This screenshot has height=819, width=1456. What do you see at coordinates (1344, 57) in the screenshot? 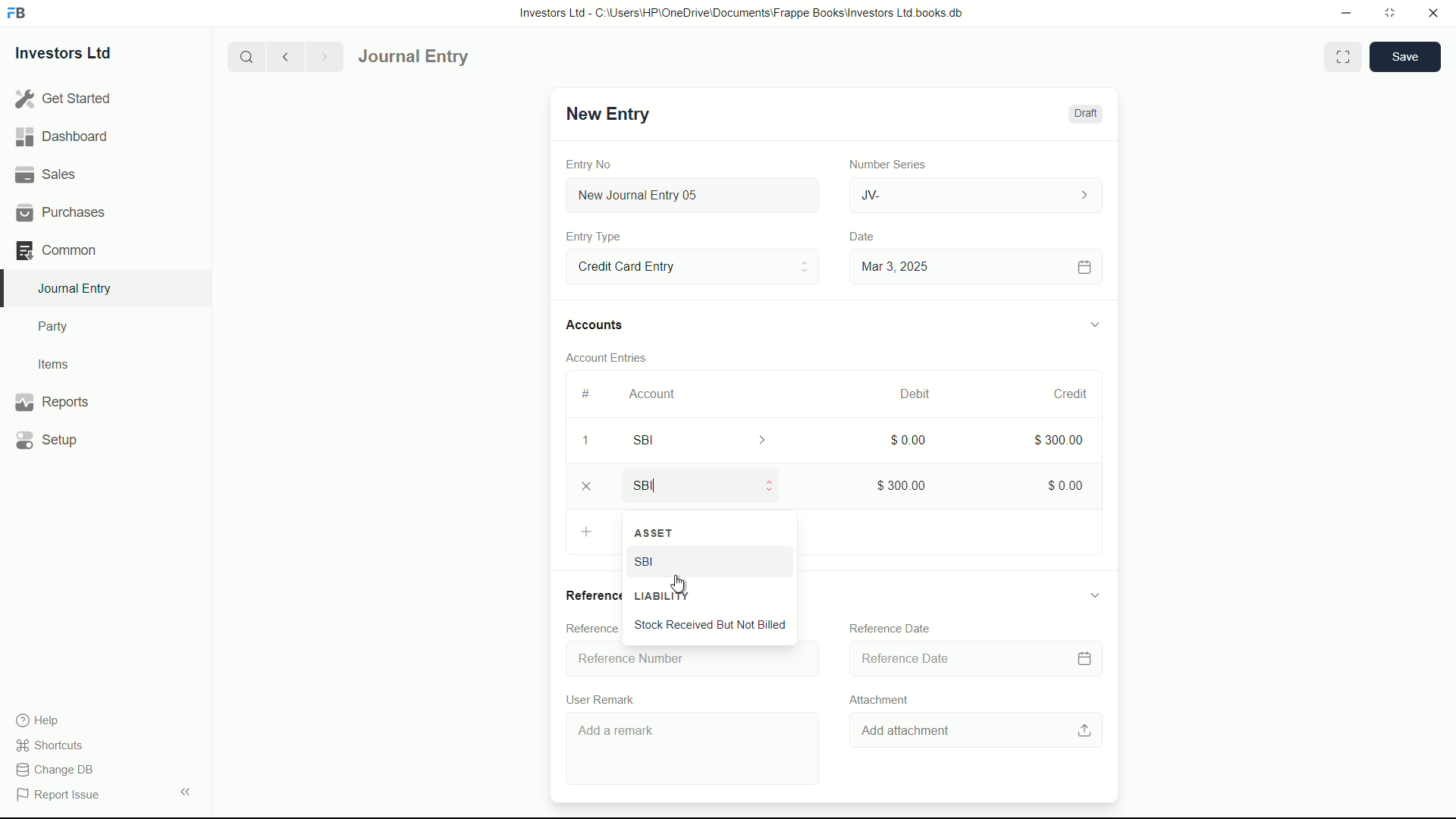
I see `Toggle between form and full width` at bounding box center [1344, 57].